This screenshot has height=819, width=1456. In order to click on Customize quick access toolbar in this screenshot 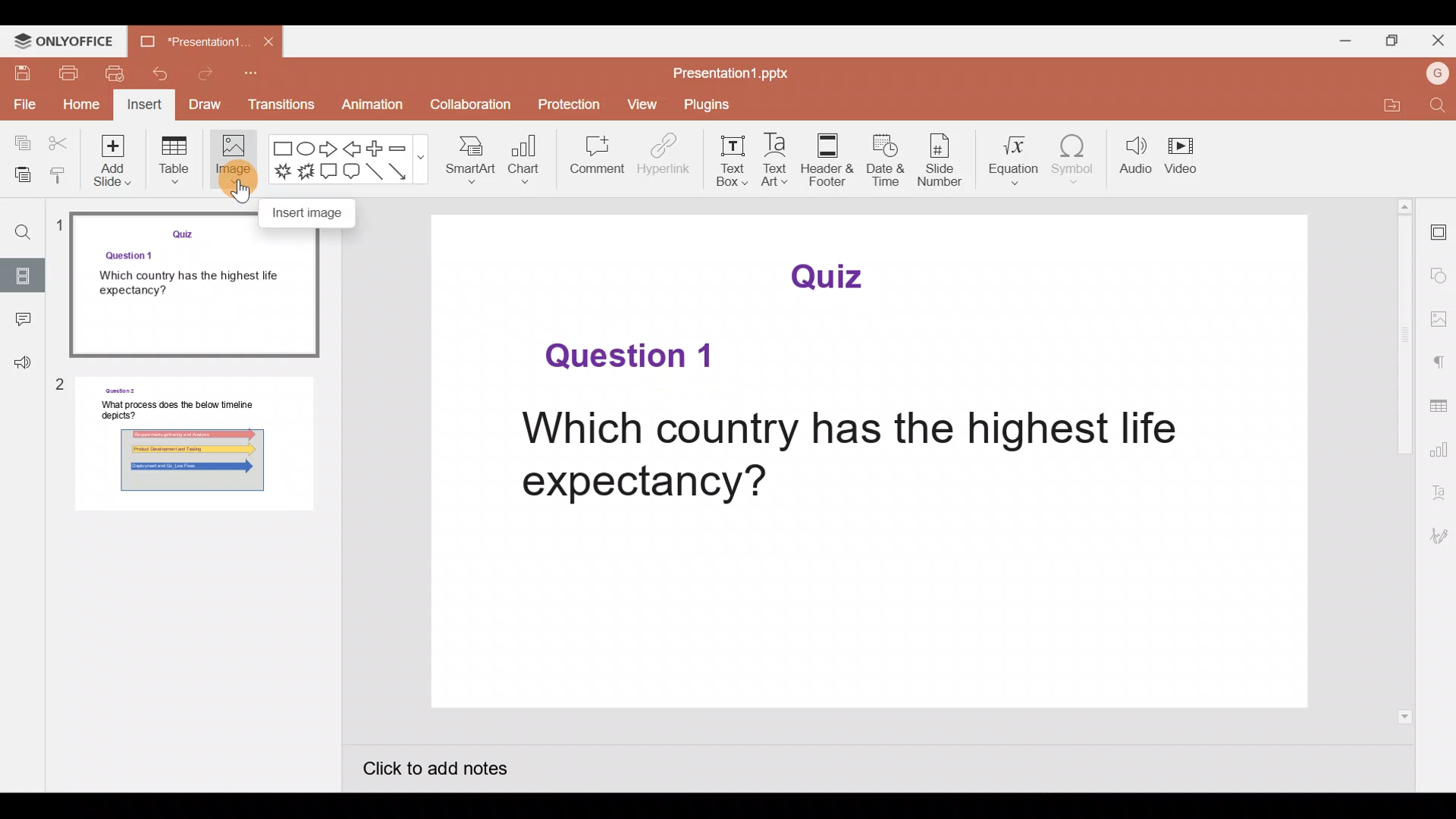, I will do `click(260, 76)`.